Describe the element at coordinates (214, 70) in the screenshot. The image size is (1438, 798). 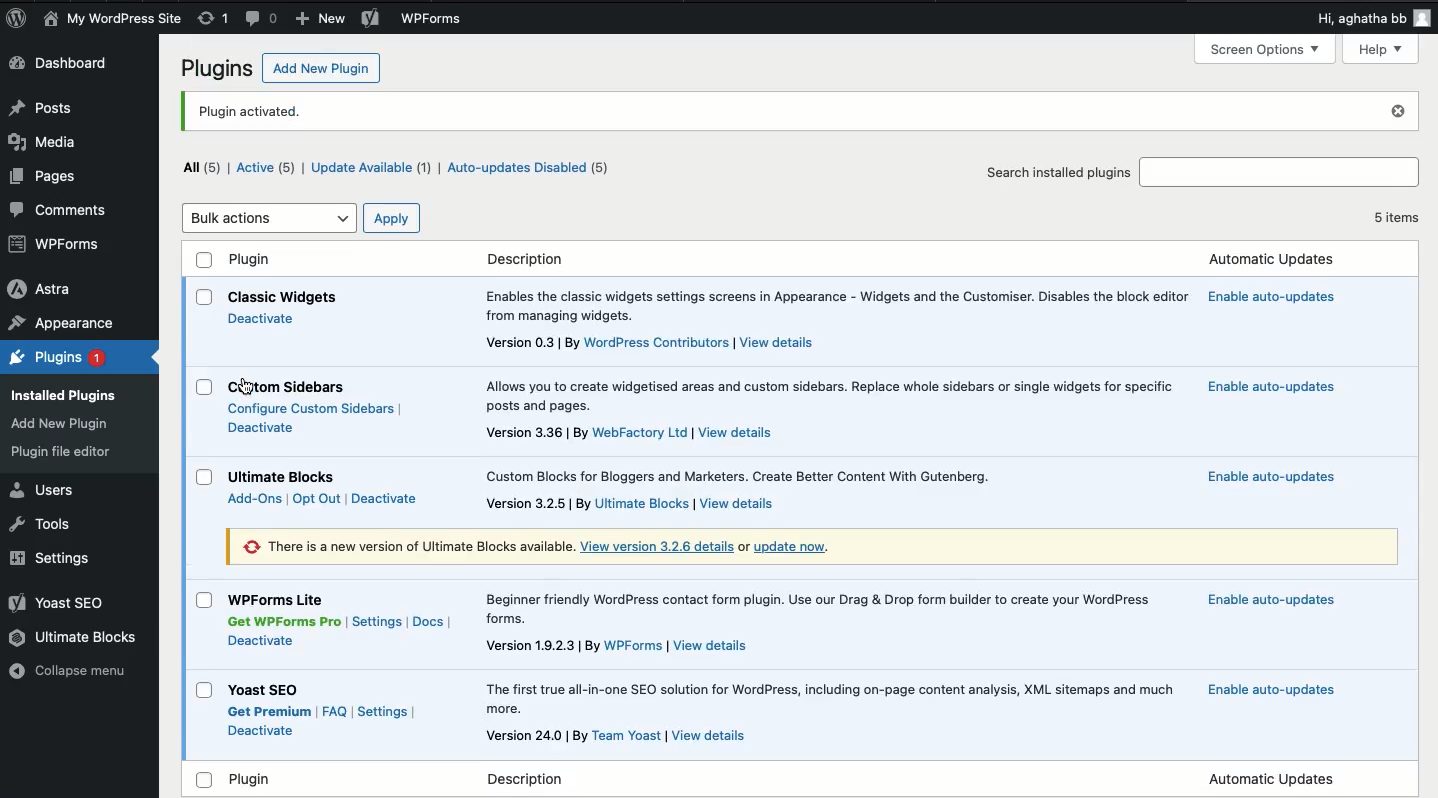
I see `Plugins` at that location.